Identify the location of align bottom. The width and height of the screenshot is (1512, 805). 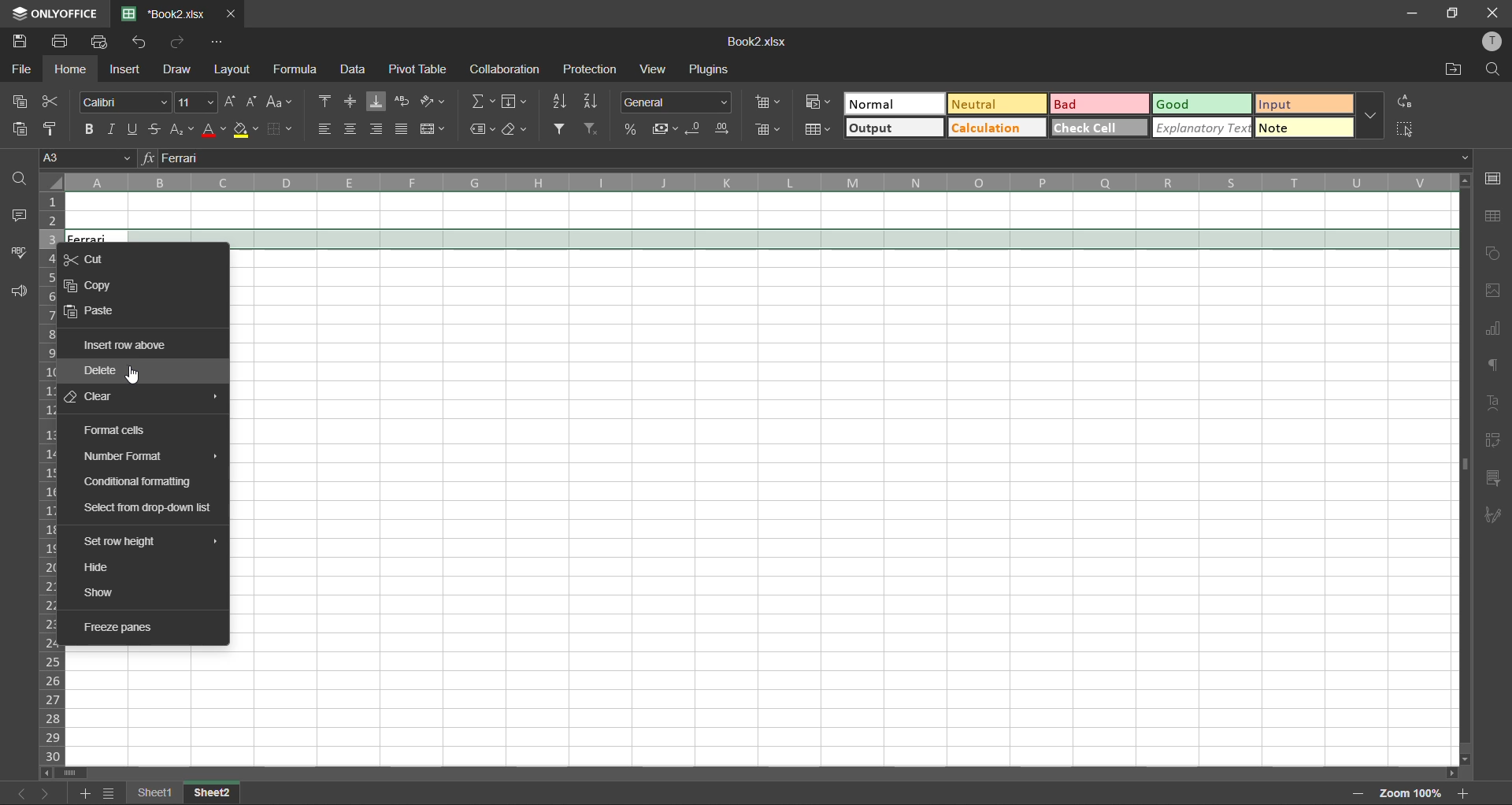
(376, 100).